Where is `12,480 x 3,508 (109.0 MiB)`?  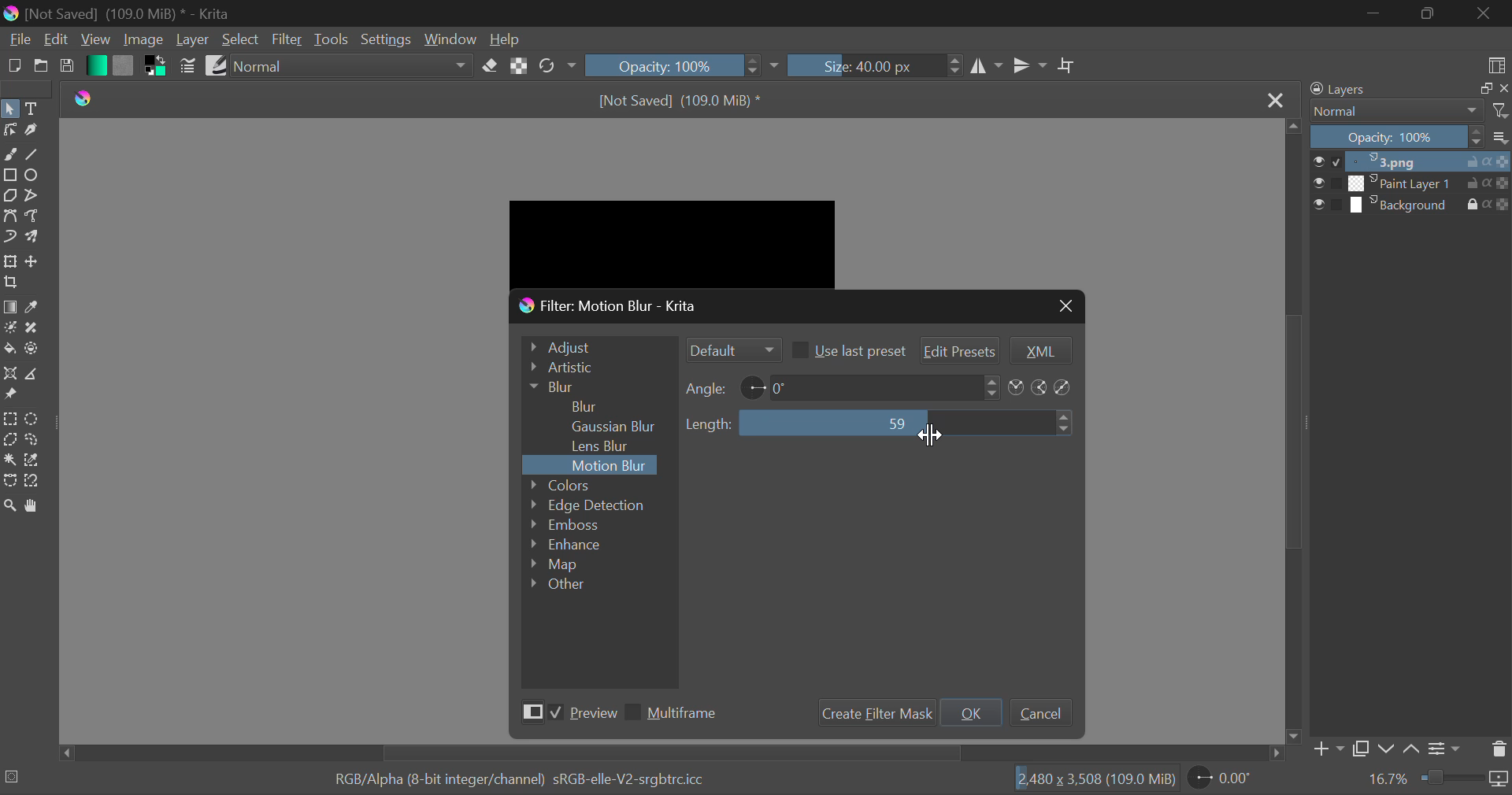
12,480 x 3,508 (109.0 MiB) is located at coordinates (1095, 778).